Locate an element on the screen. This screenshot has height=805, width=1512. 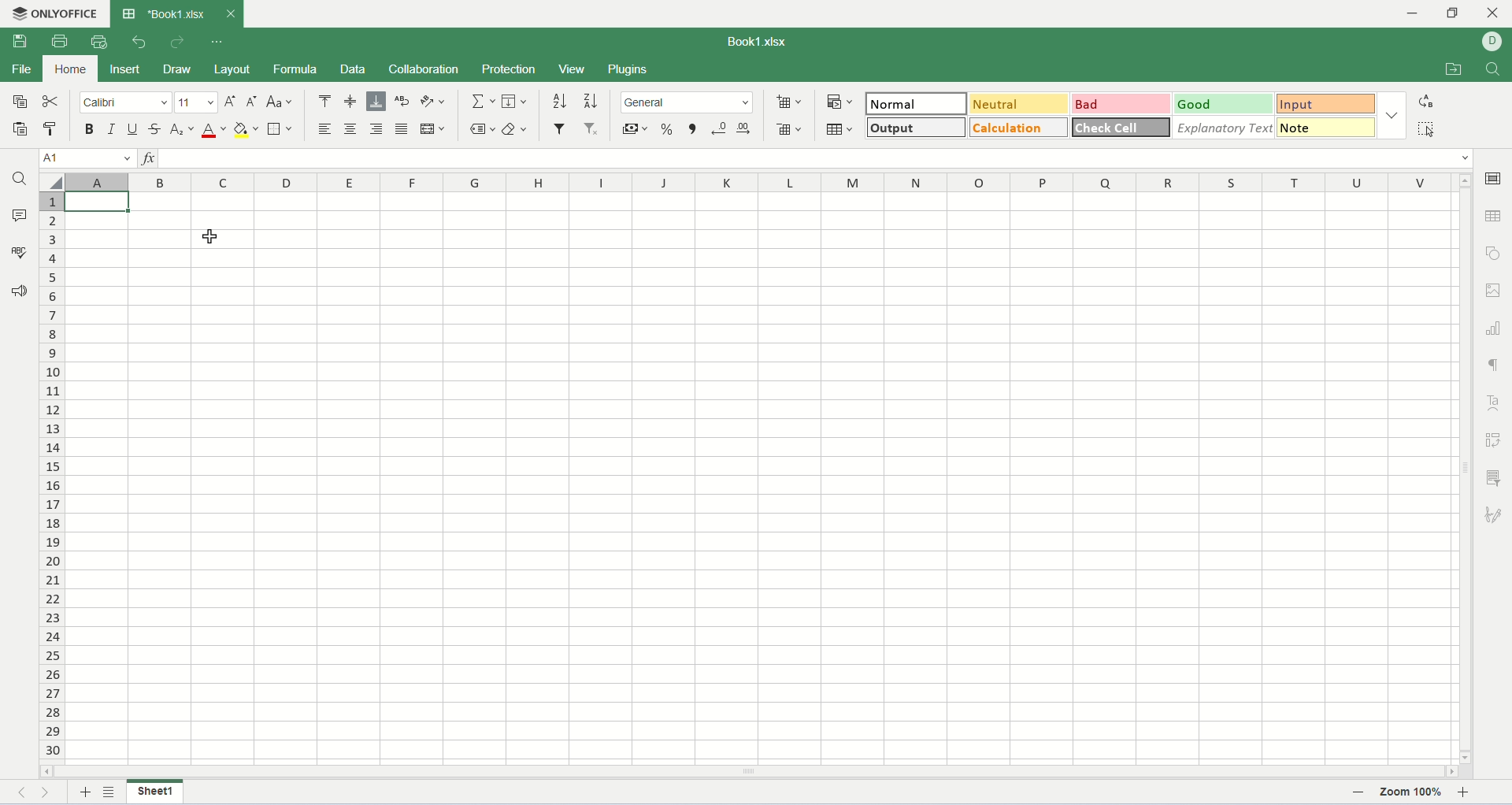
subscript/superscript is located at coordinates (180, 129).